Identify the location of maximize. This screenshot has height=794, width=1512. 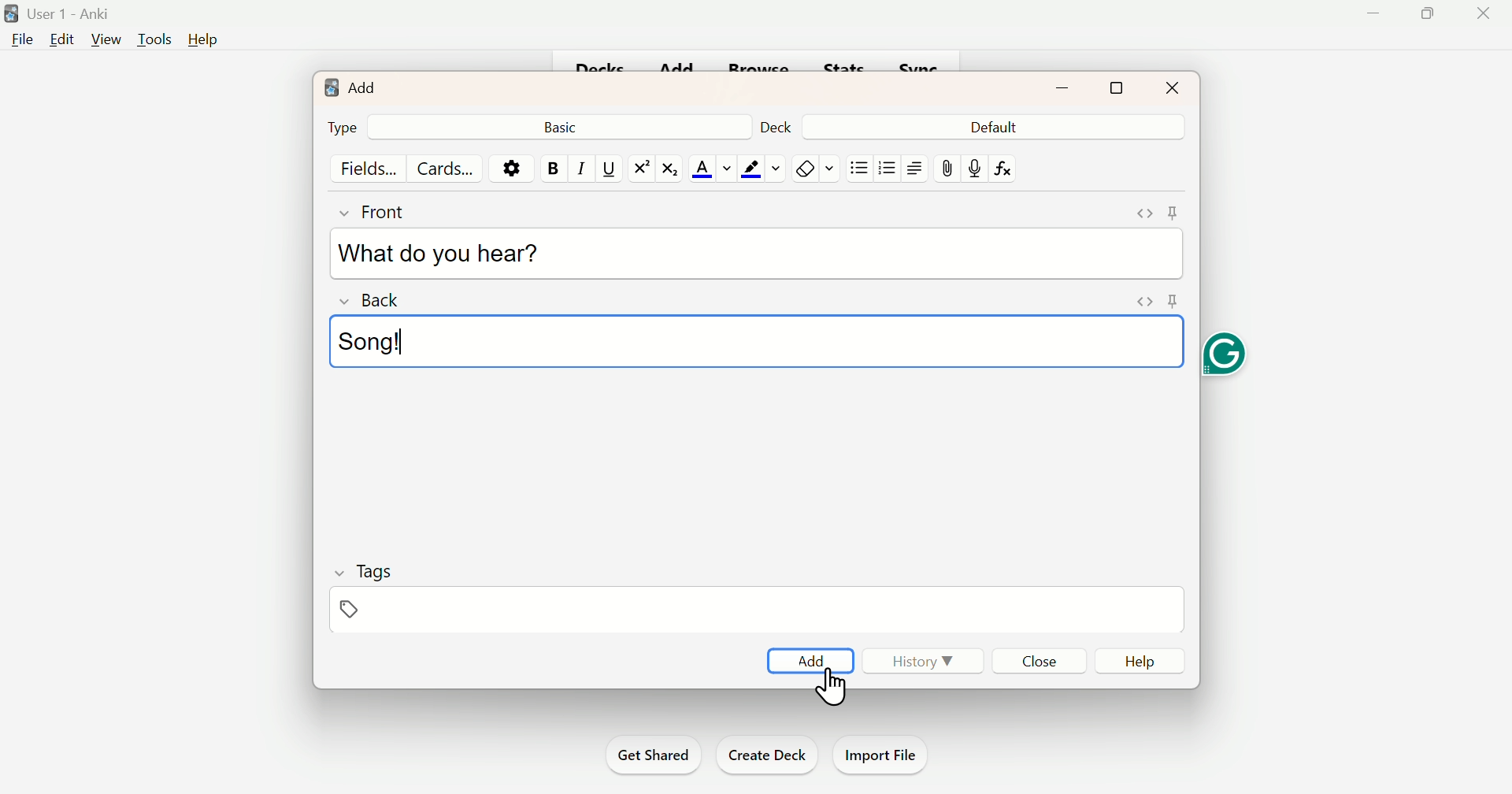
(1115, 89).